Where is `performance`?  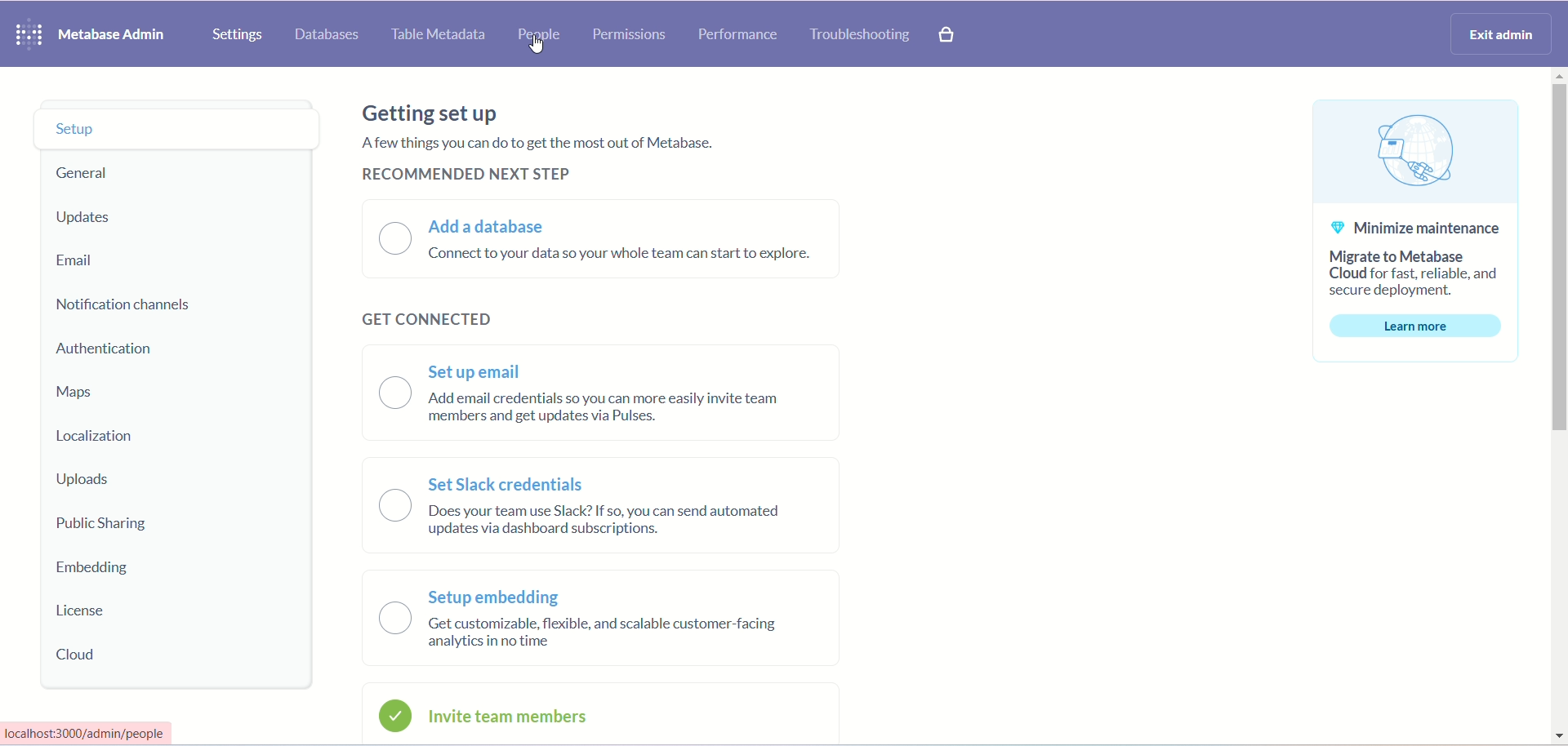
performance is located at coordinates (741, 37).